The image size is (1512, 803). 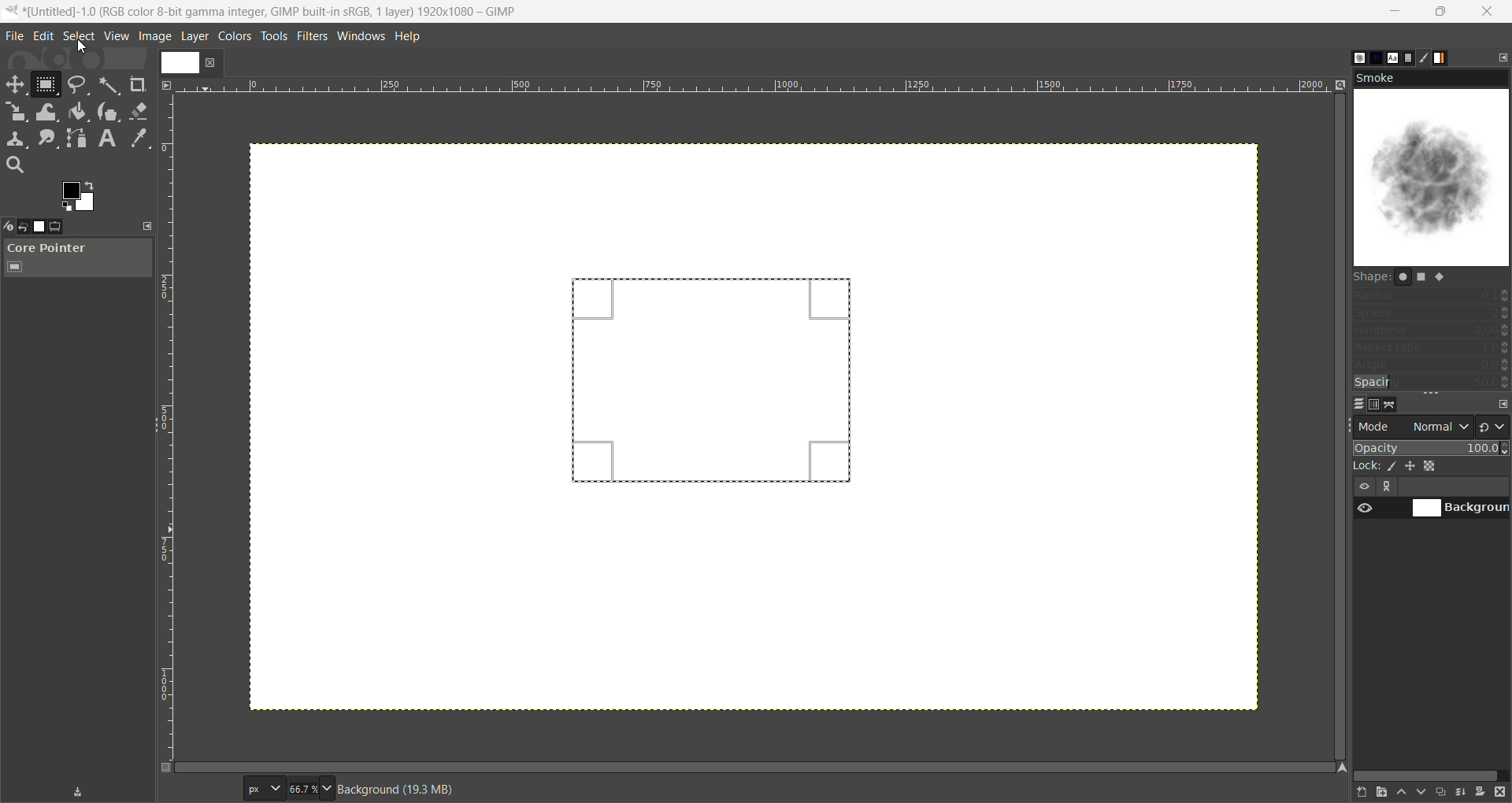 What do you see at coordinates (1394, 12) in the screenshot?
I see `minimize` at bounding box center [1394, 12].